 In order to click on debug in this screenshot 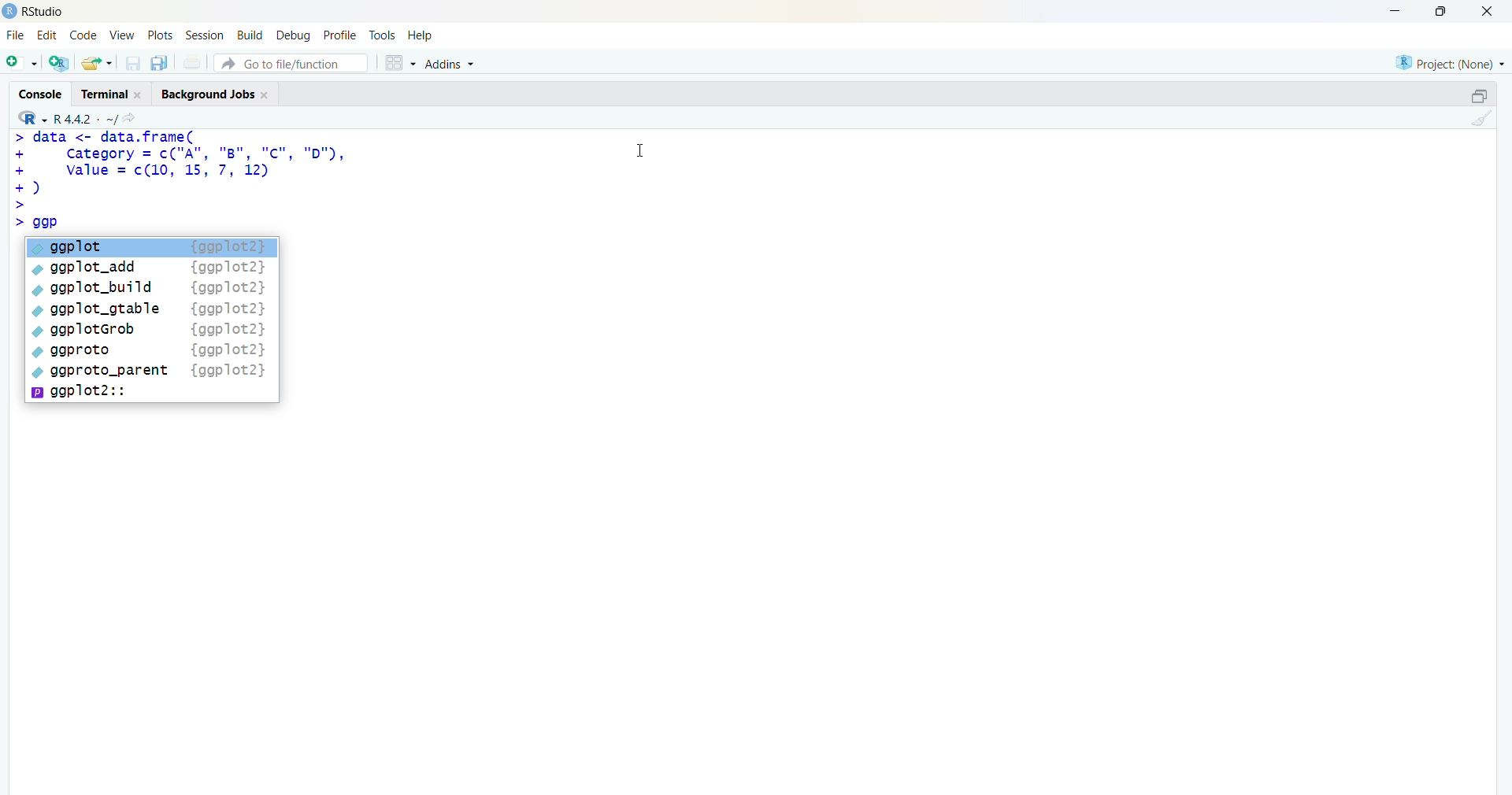, I will do `click(294, 35)`.